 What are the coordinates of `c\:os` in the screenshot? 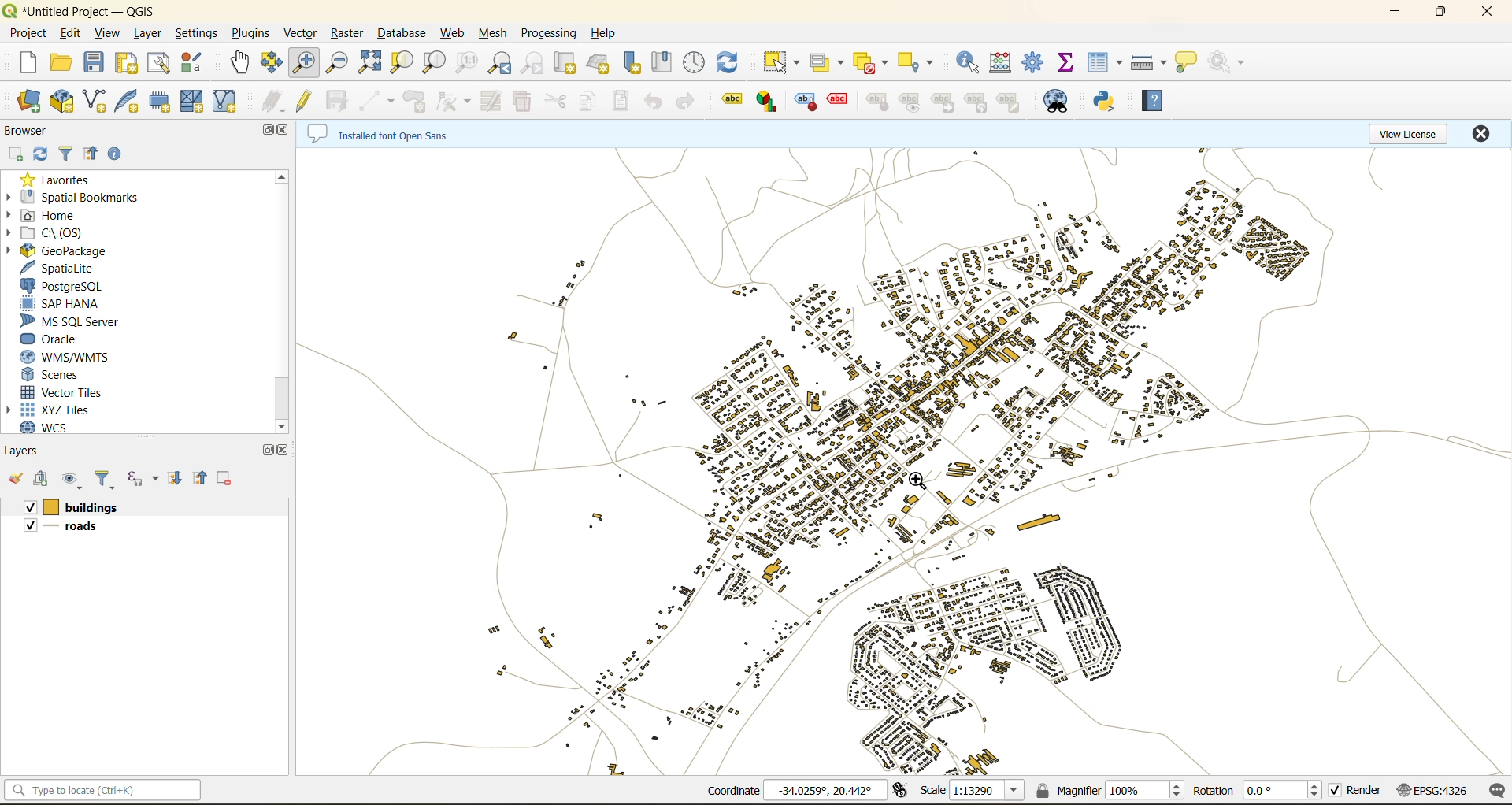 It's located at (57, 233).